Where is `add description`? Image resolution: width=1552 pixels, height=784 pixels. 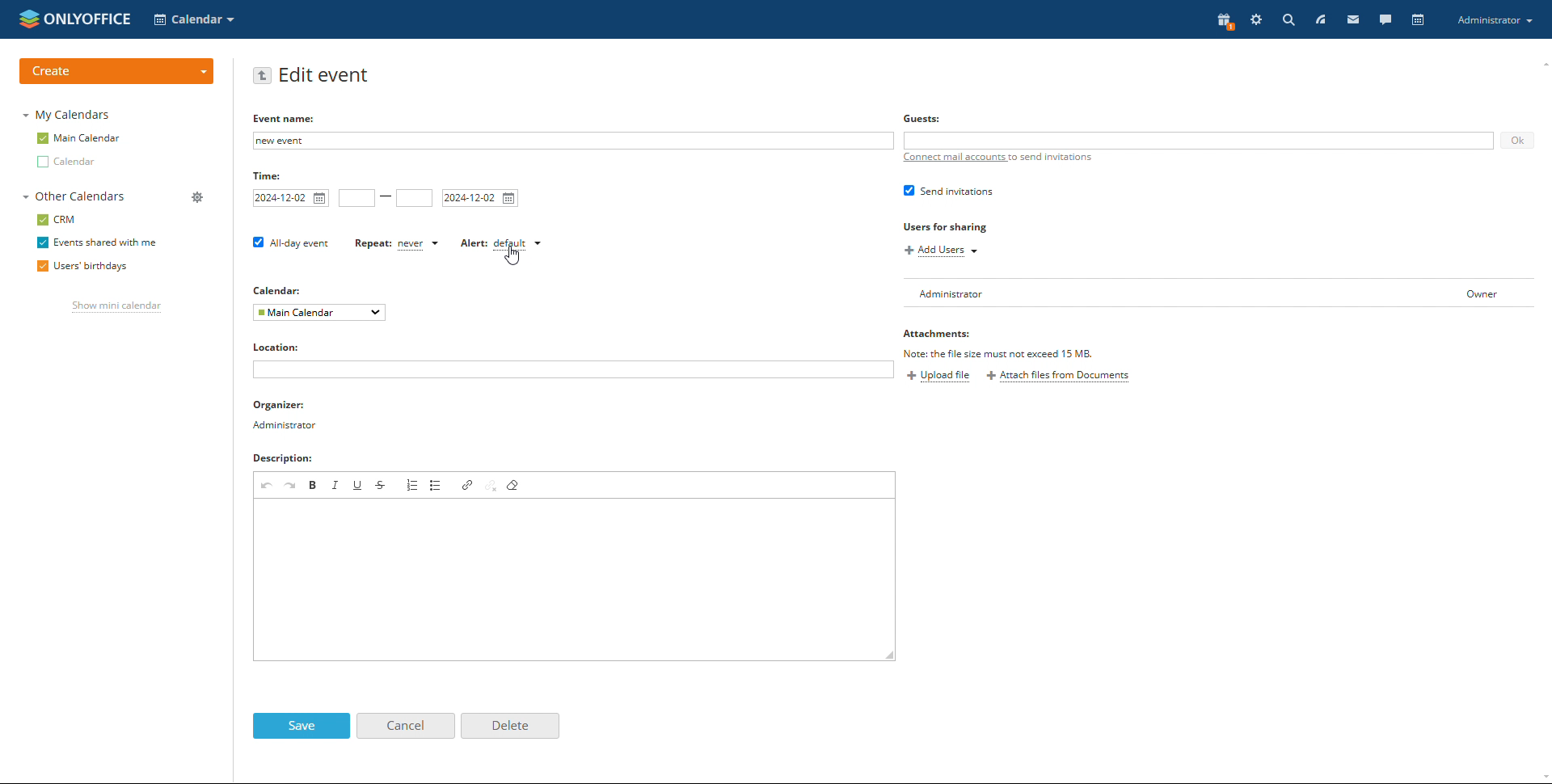
add description is located at coordinates (568, 580).